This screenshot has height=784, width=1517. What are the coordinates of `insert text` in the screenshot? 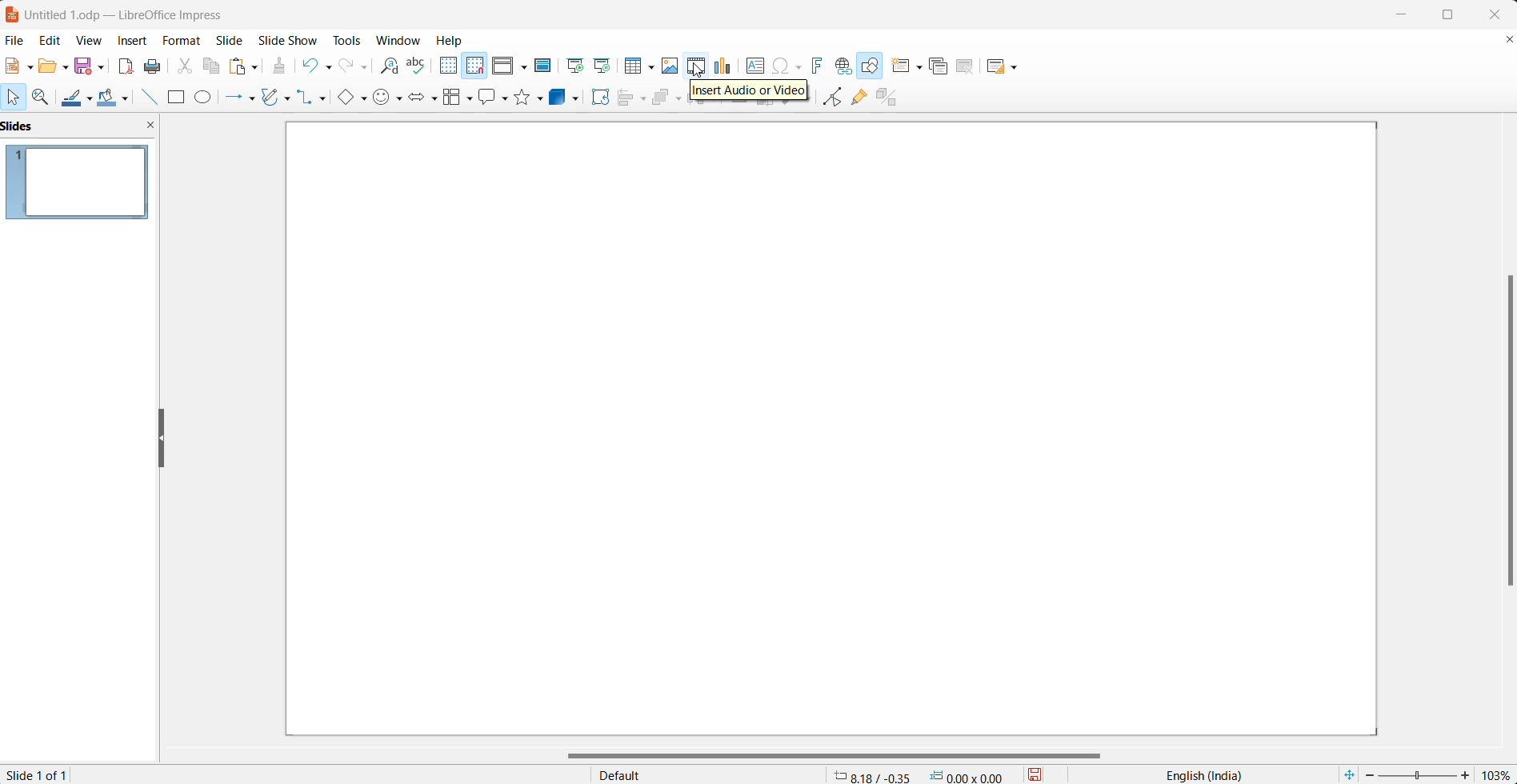 It's located at (756, 65).